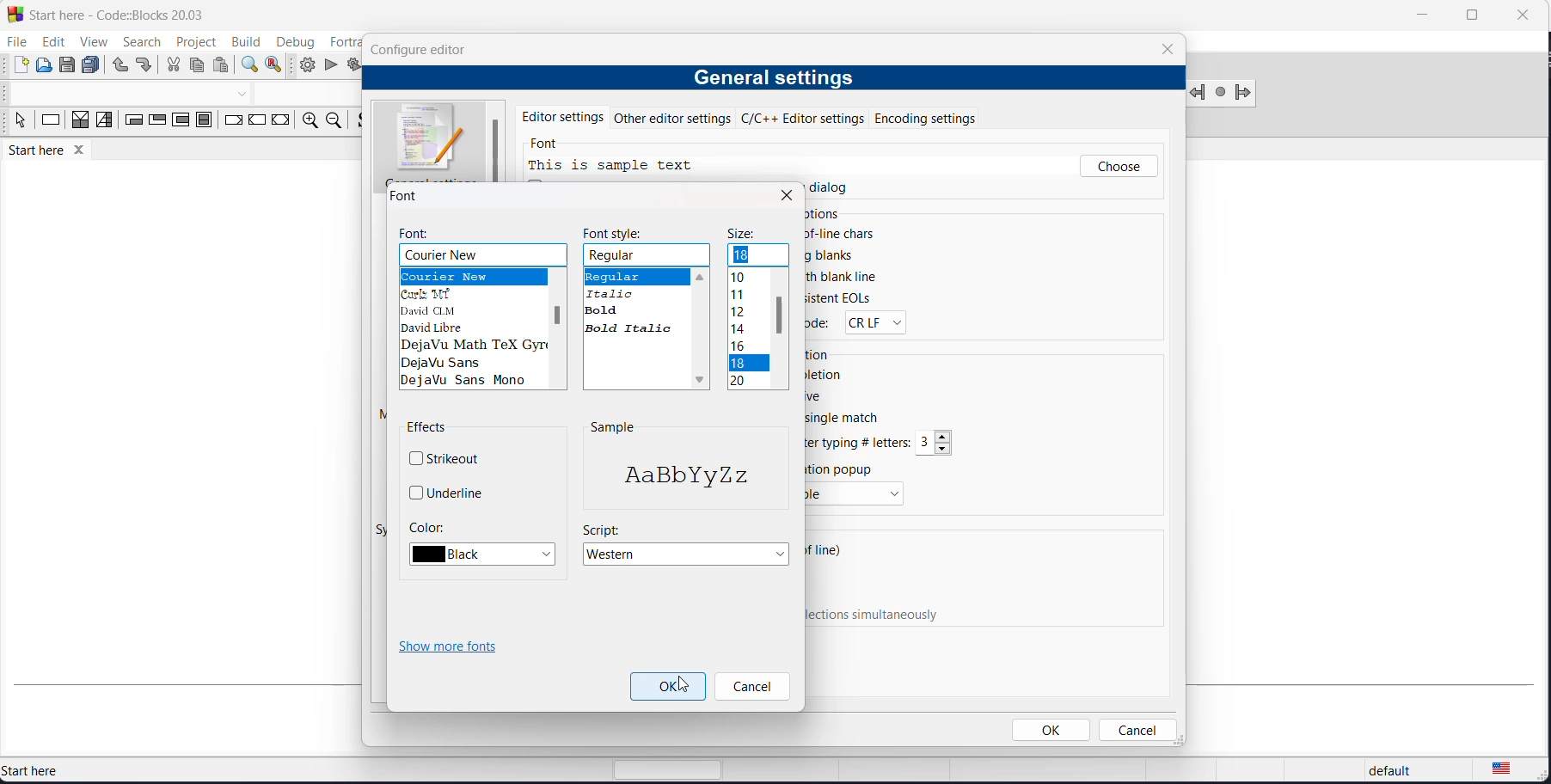 Image resolution: width=1551 pixels, height=784 pixels. I want to click on increment , so click(946, 436).